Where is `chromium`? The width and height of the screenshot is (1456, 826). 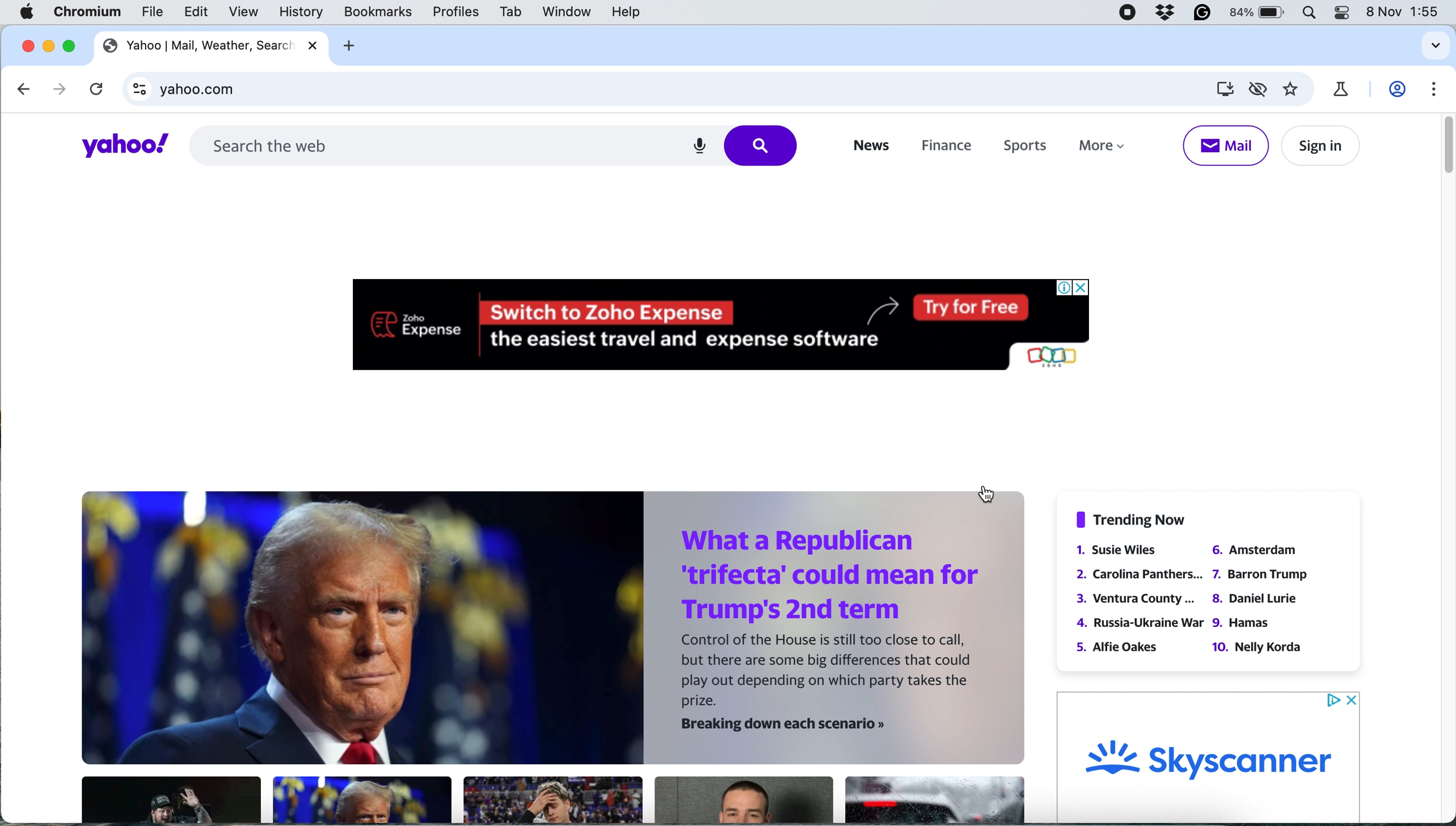
chromium is located at coordinates (91, 11).